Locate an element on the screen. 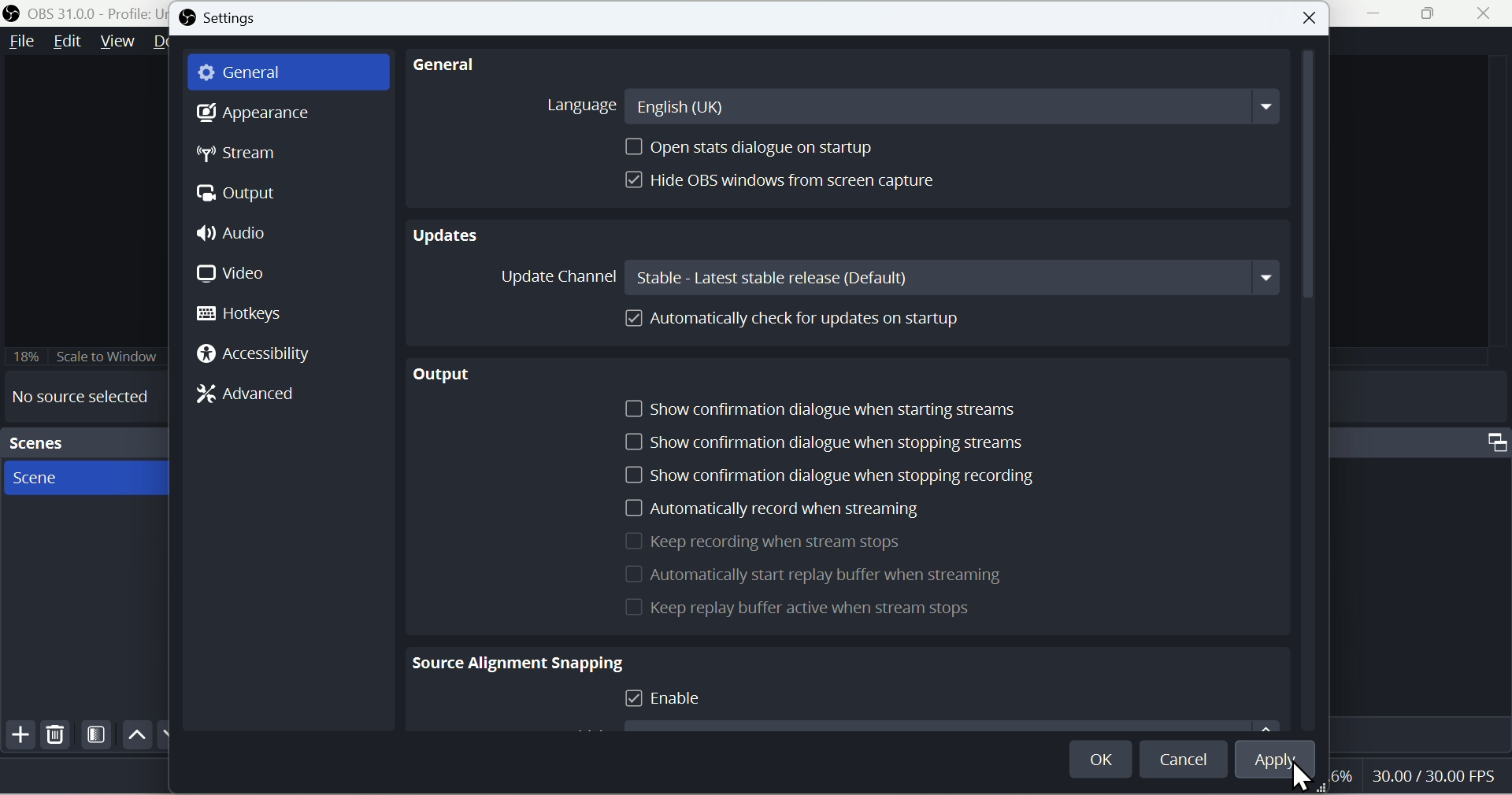 This screenshot has height=795, width=1512. Show confirmation dialogue when stopping streams is located at coordinates (831, 442).